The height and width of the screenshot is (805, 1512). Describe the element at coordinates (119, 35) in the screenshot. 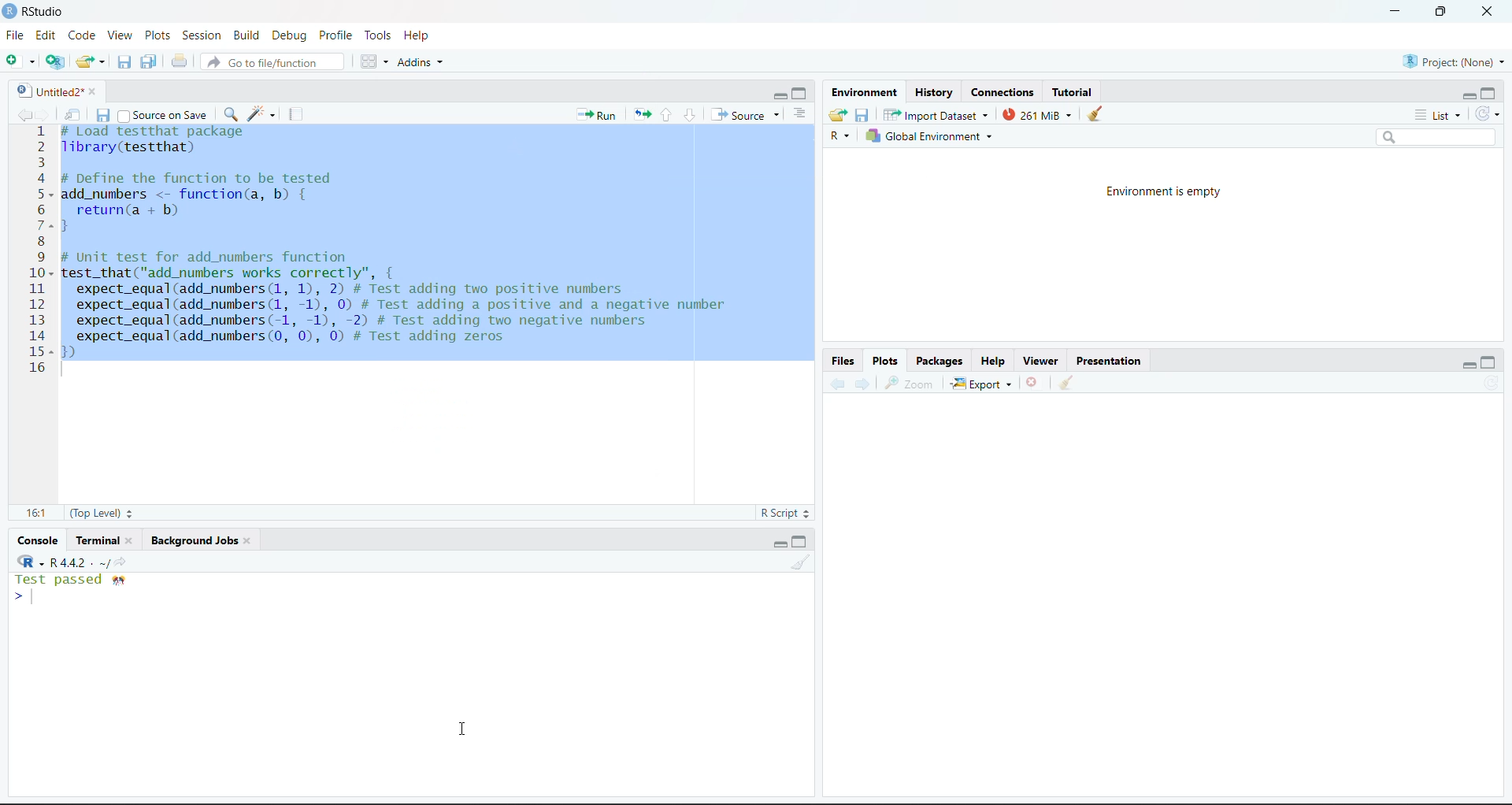

I see `View` at that location.